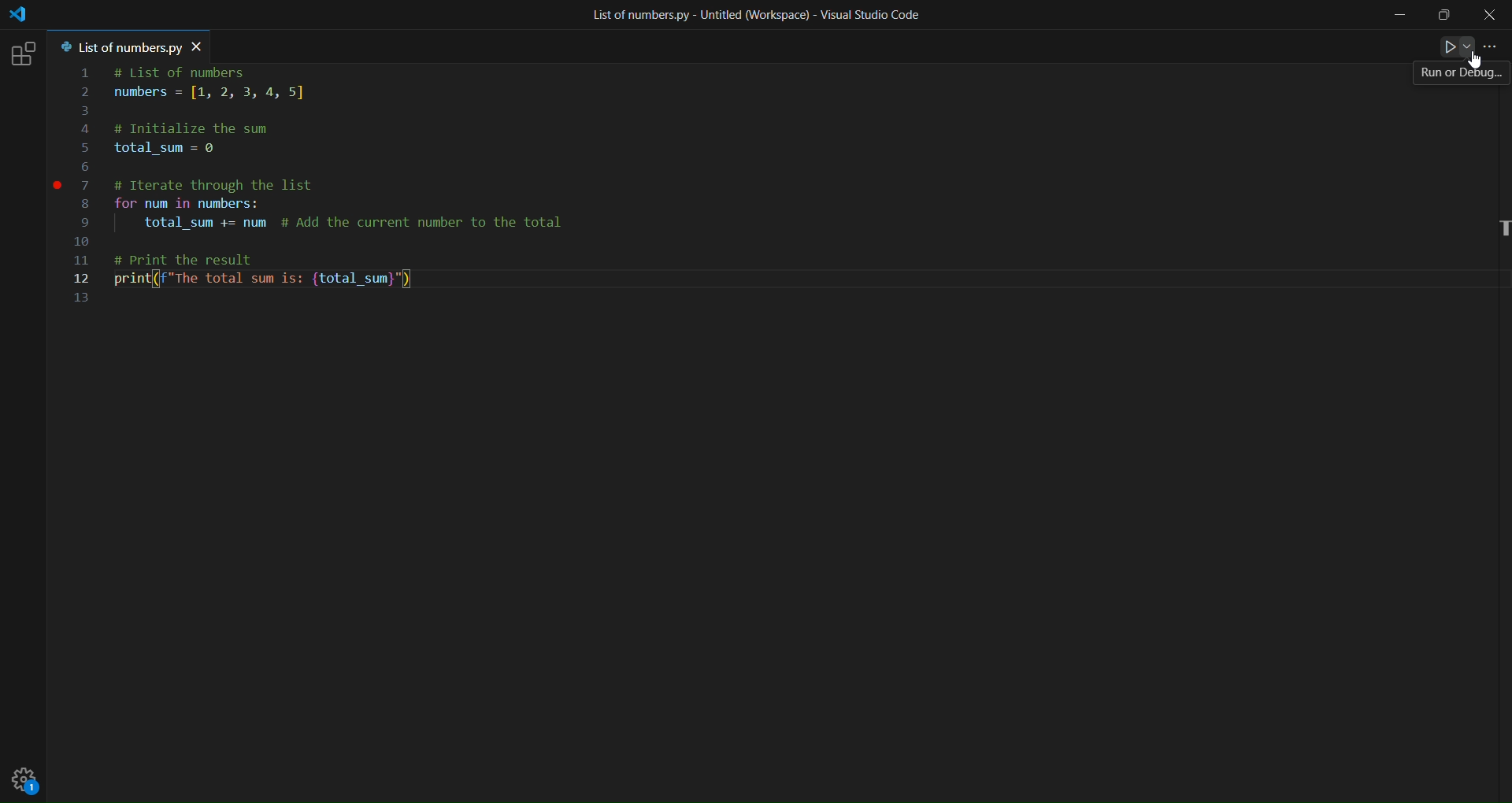  I want to click on close, so click(1492, 14).